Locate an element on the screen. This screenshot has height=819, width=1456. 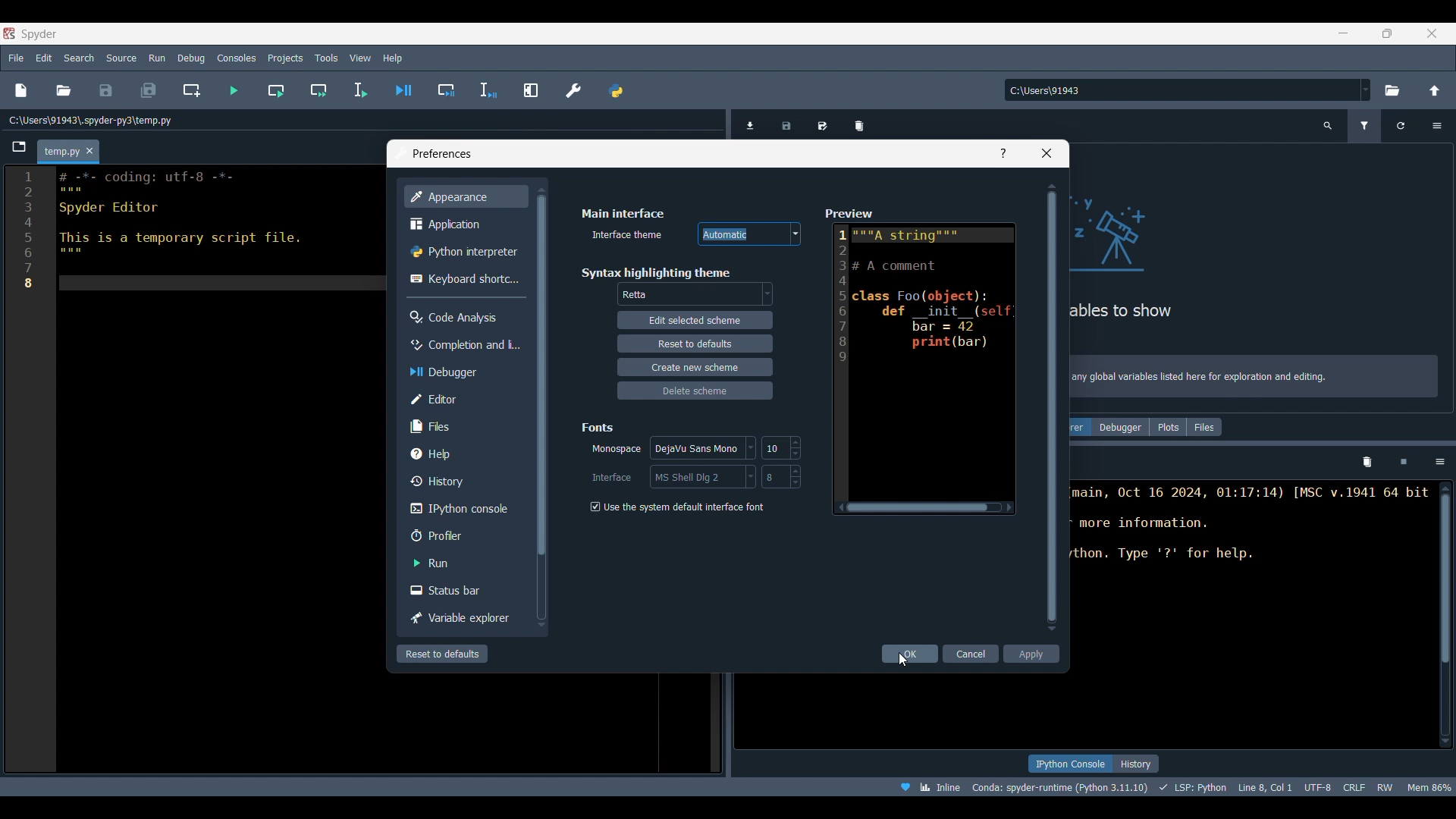
Indicates interface theme options is located at coordinates (625, 235).